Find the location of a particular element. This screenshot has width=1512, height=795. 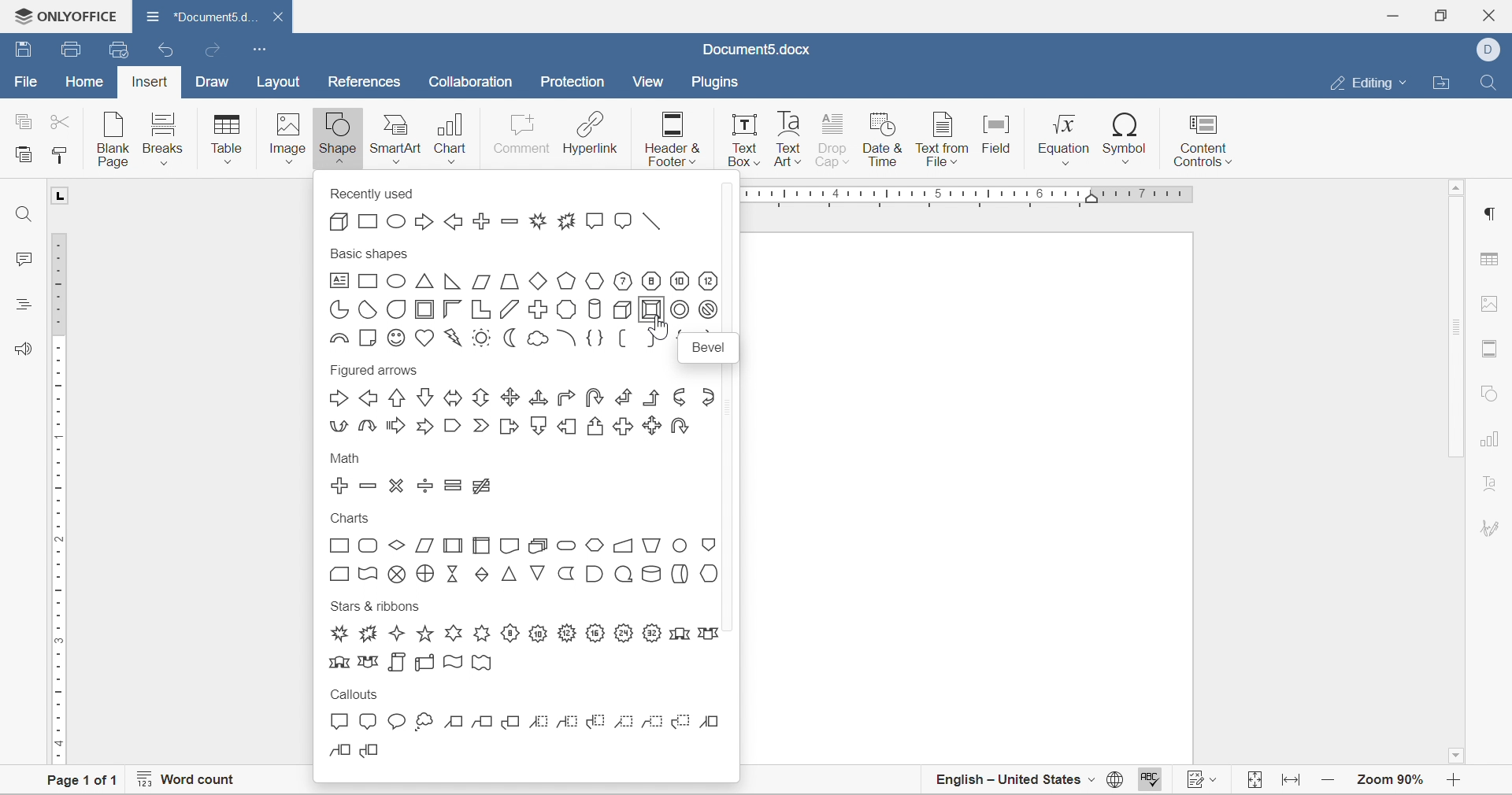

copy style is located at coordinates (63, 154).